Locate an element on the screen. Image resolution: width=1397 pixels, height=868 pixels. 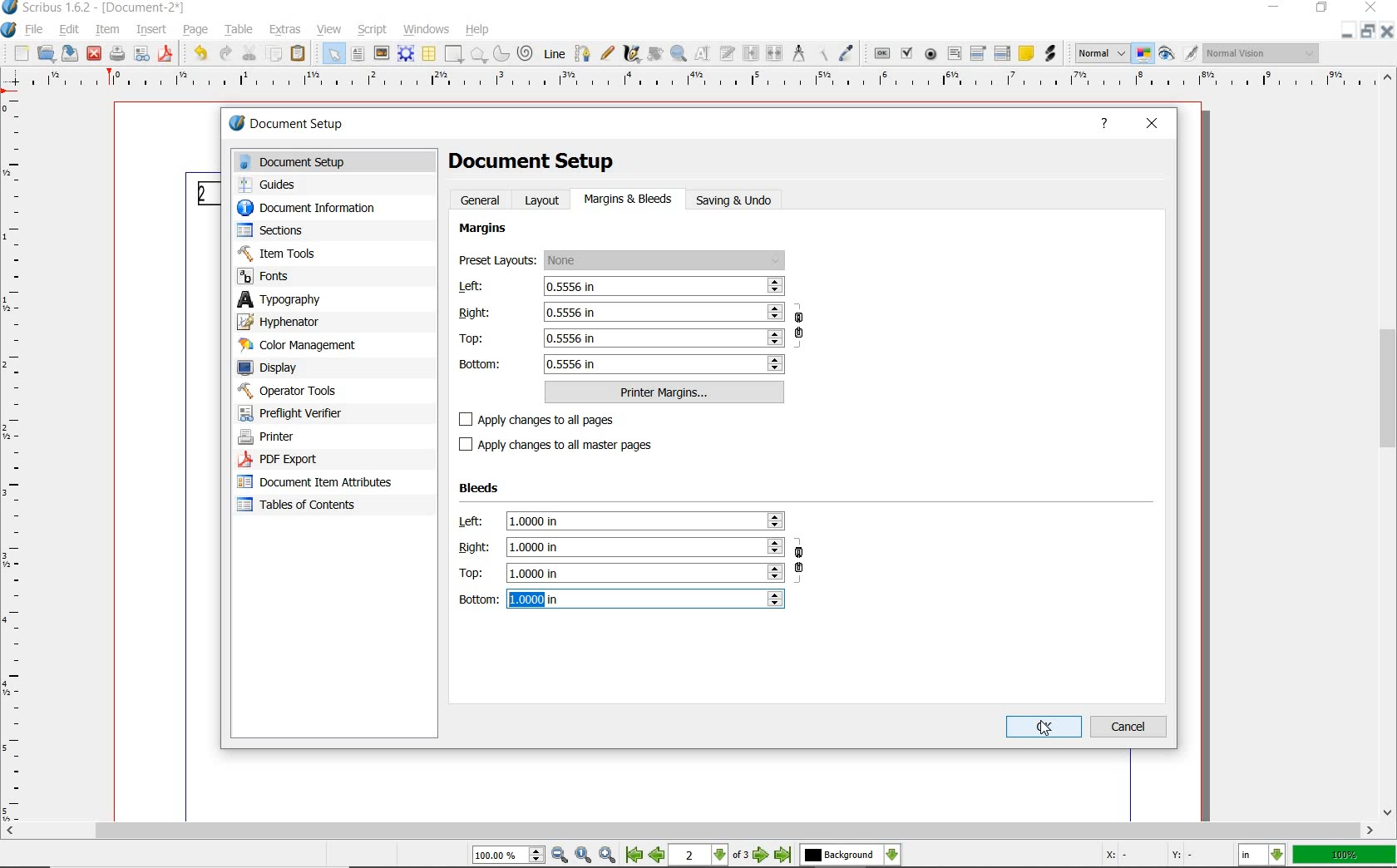
printer is located at coordinates (269, 436).